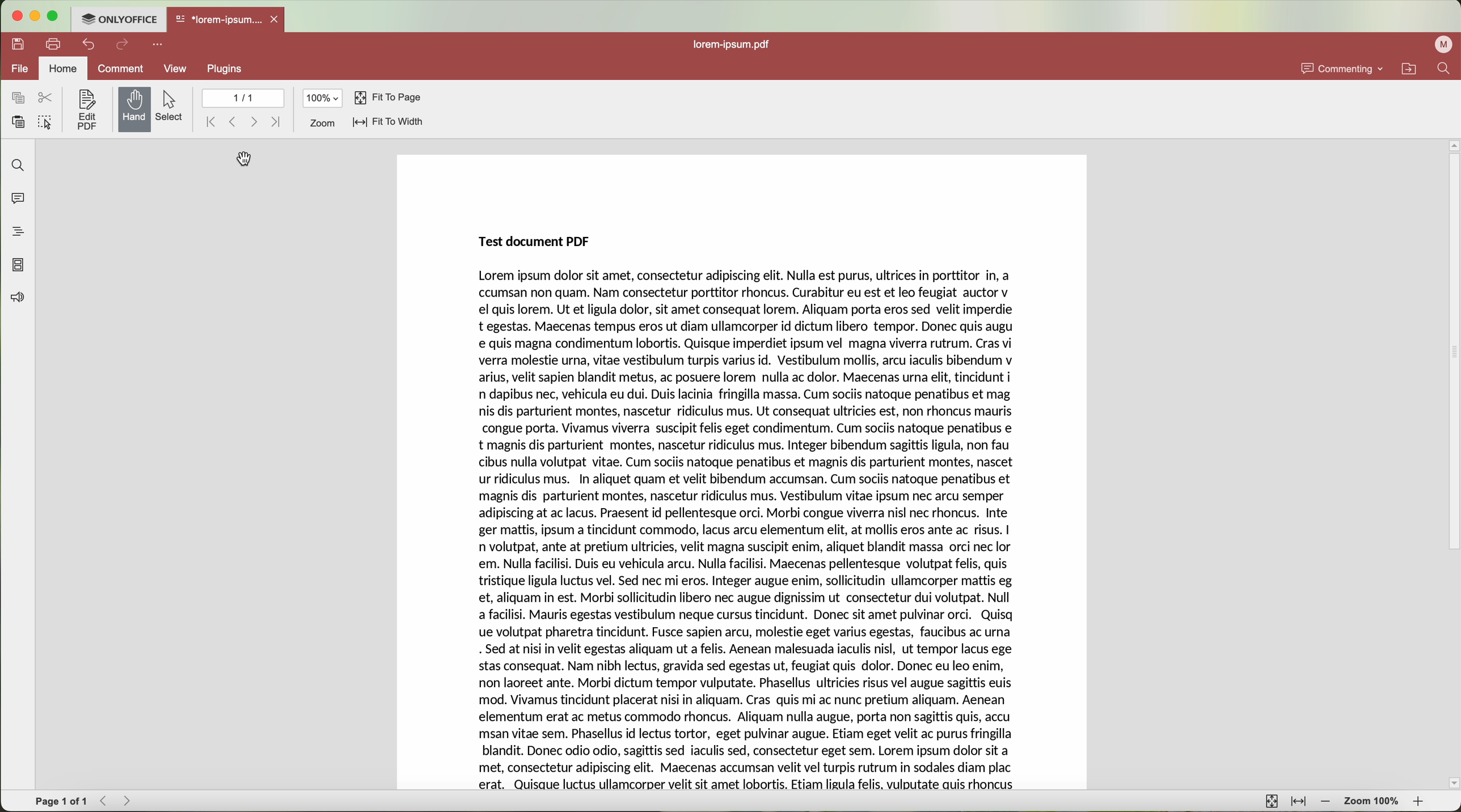 This screenshot has width=1461, height=812. Describe the element at coordinates (734, 44) in the screenshot. I see `lorem-ipsum.pdf` at that location.